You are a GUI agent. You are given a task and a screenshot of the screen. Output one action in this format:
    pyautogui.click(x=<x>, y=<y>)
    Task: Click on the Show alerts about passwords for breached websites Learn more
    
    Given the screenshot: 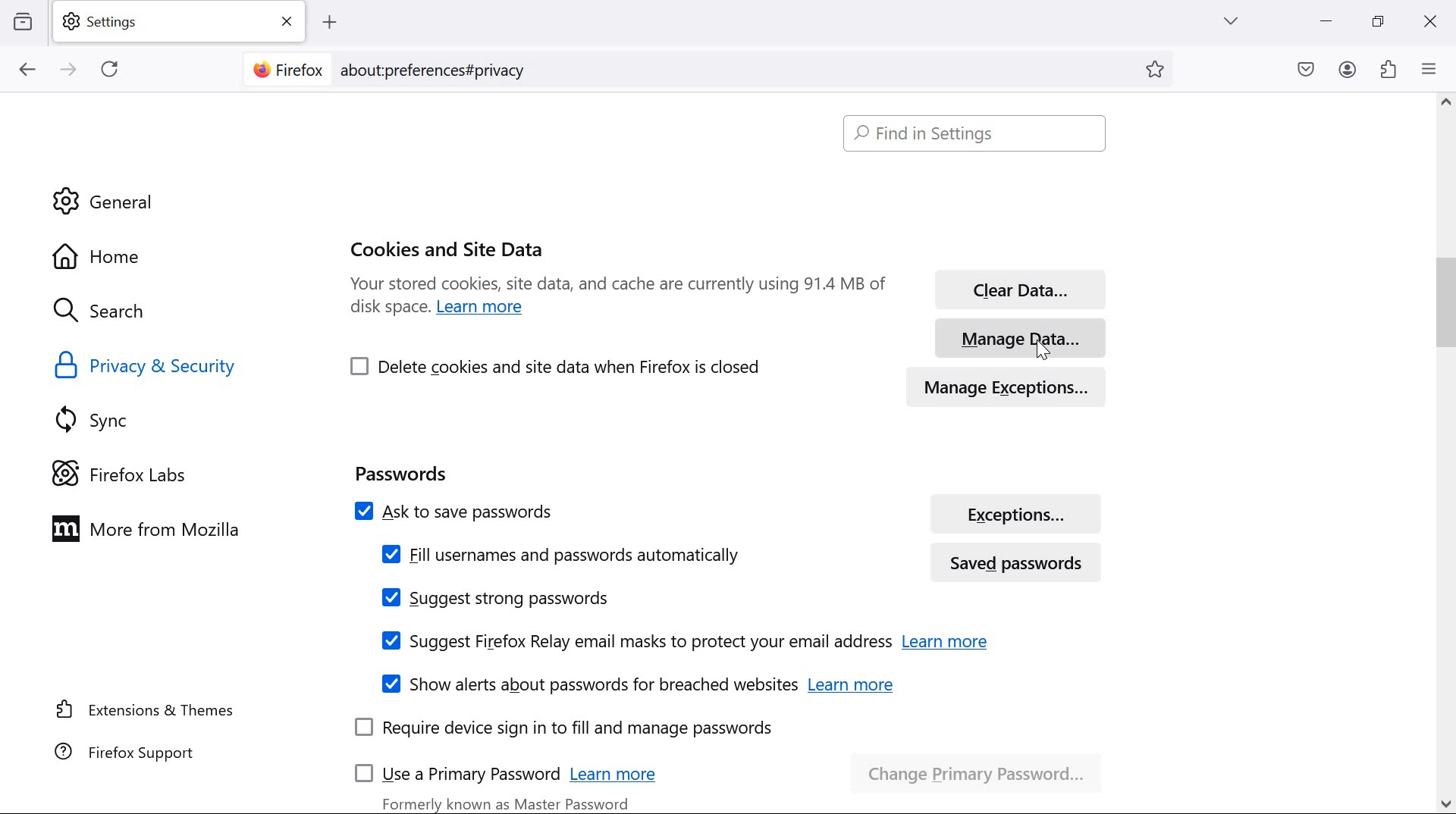 What is the action you would take?
    pyautogui.click(x=635, y=683)
    